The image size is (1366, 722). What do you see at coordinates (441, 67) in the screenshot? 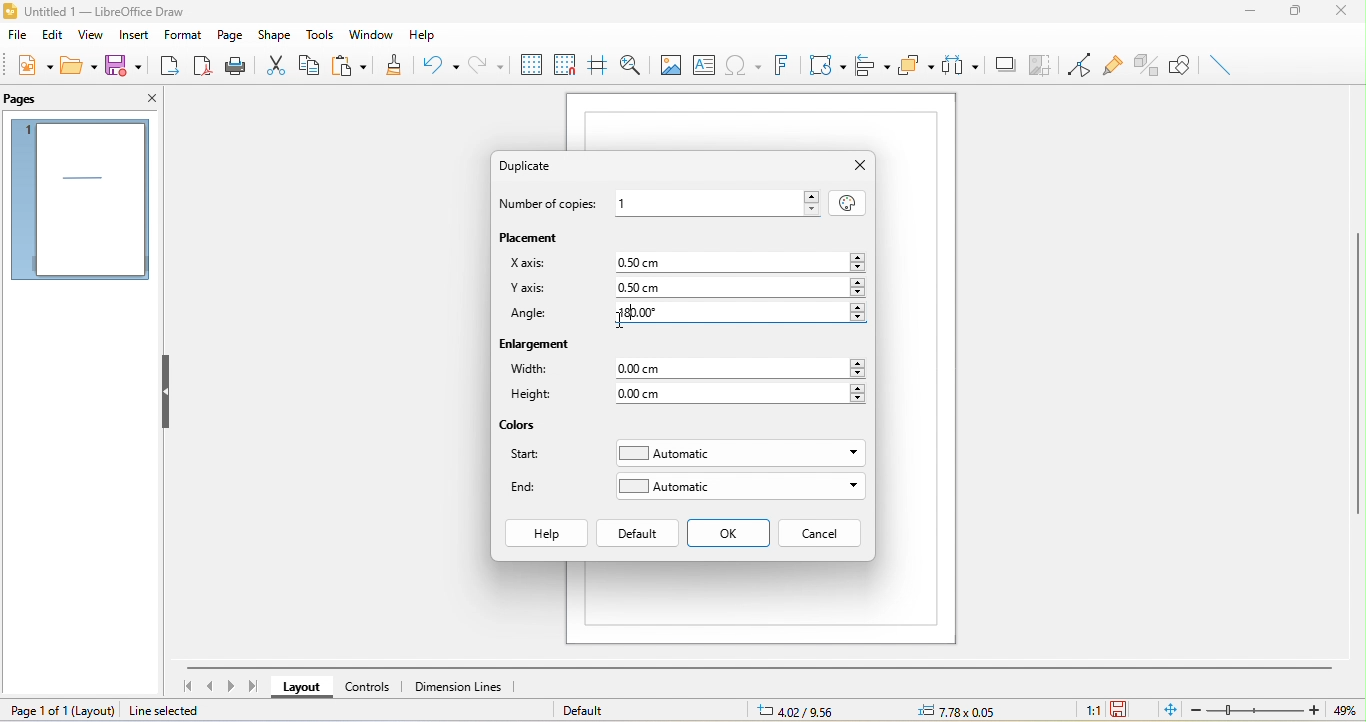
I see `undo` at bounding box center [441, 67].